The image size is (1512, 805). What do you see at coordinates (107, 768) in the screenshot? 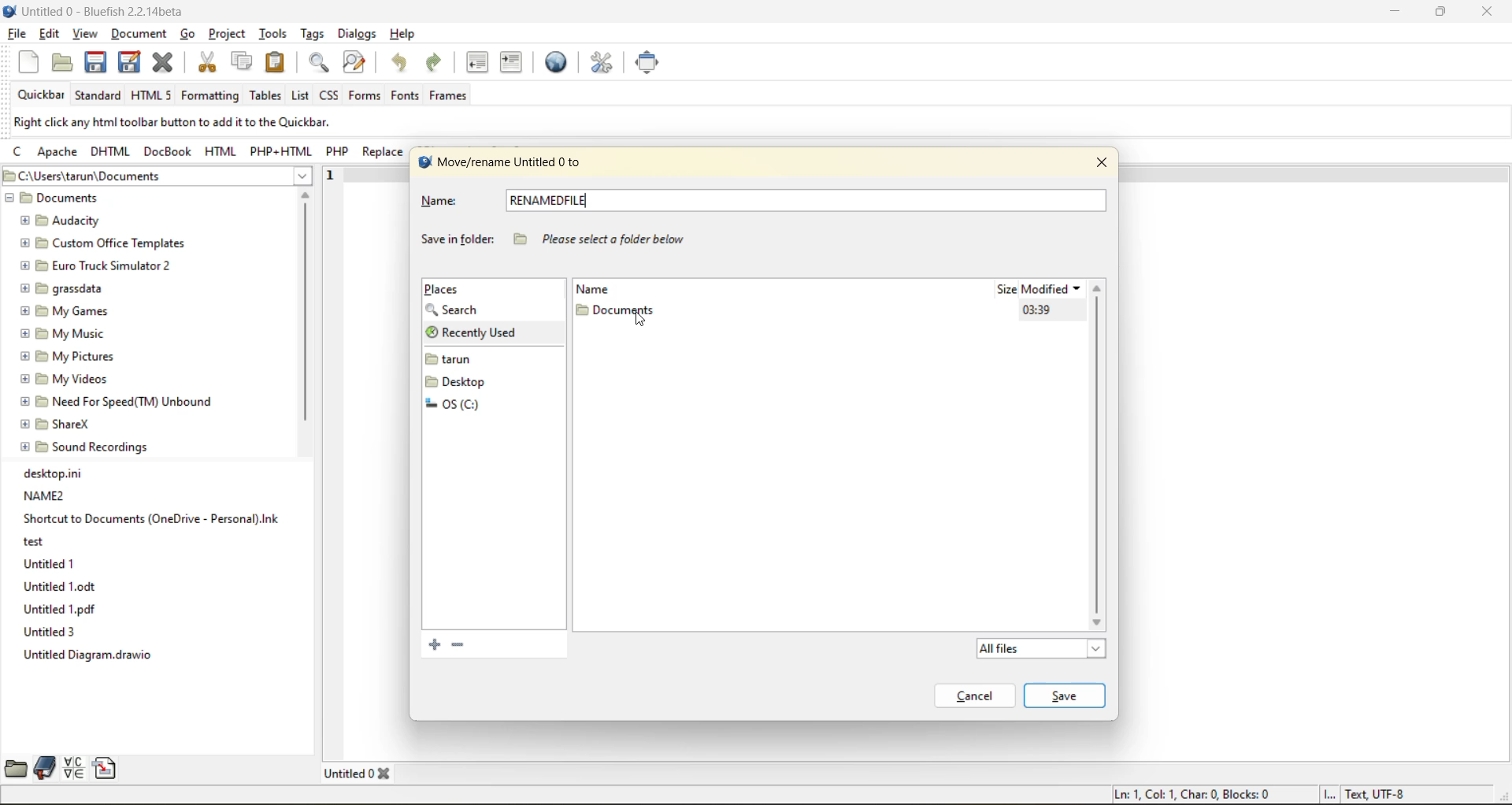
I see `snippets` at bounding box center [107, 768].